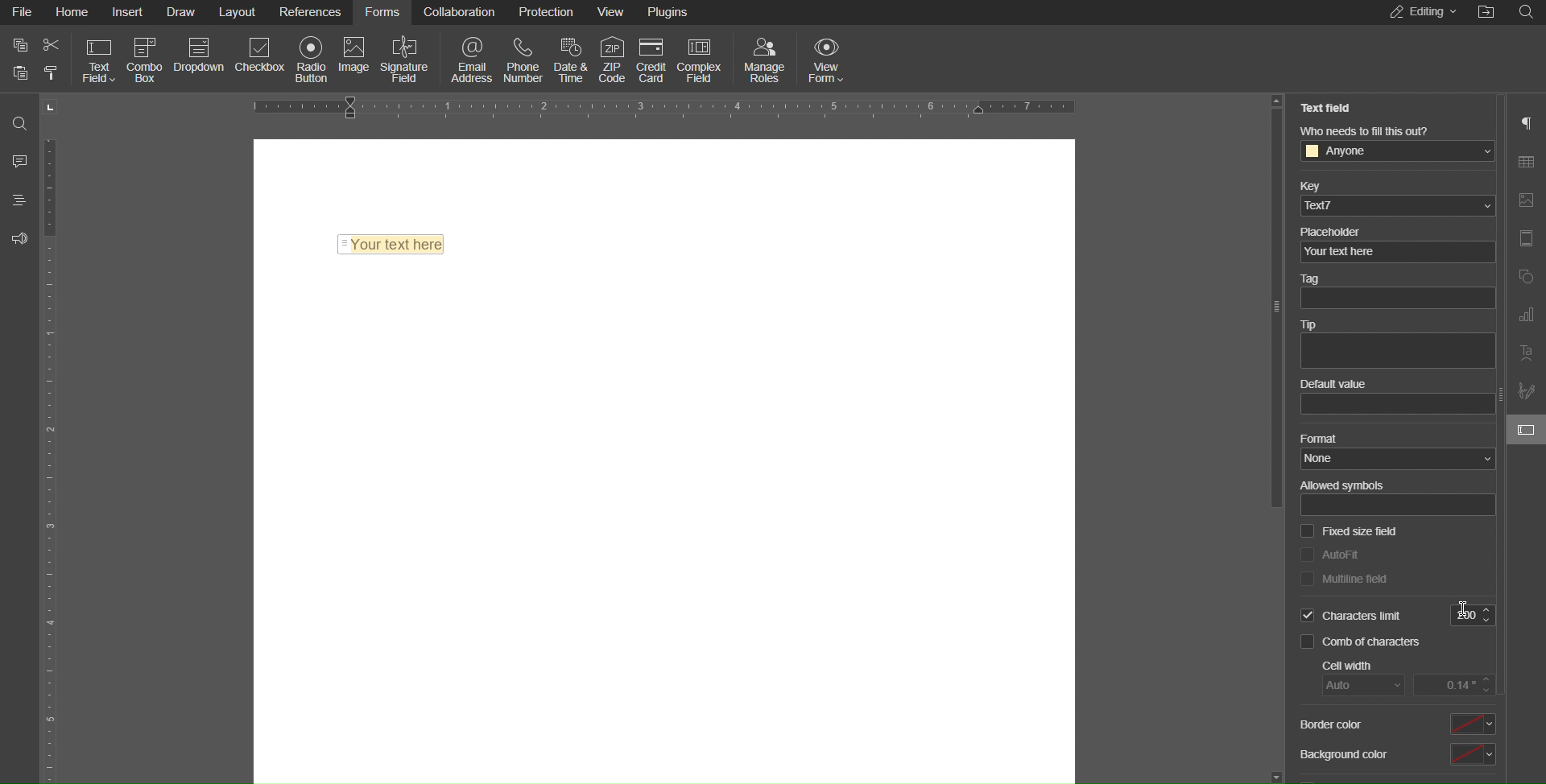  What do you see at coordinates (1525, 316) in the screenshot?
I see `Graph Settings` at bounding box center [1525, 316].